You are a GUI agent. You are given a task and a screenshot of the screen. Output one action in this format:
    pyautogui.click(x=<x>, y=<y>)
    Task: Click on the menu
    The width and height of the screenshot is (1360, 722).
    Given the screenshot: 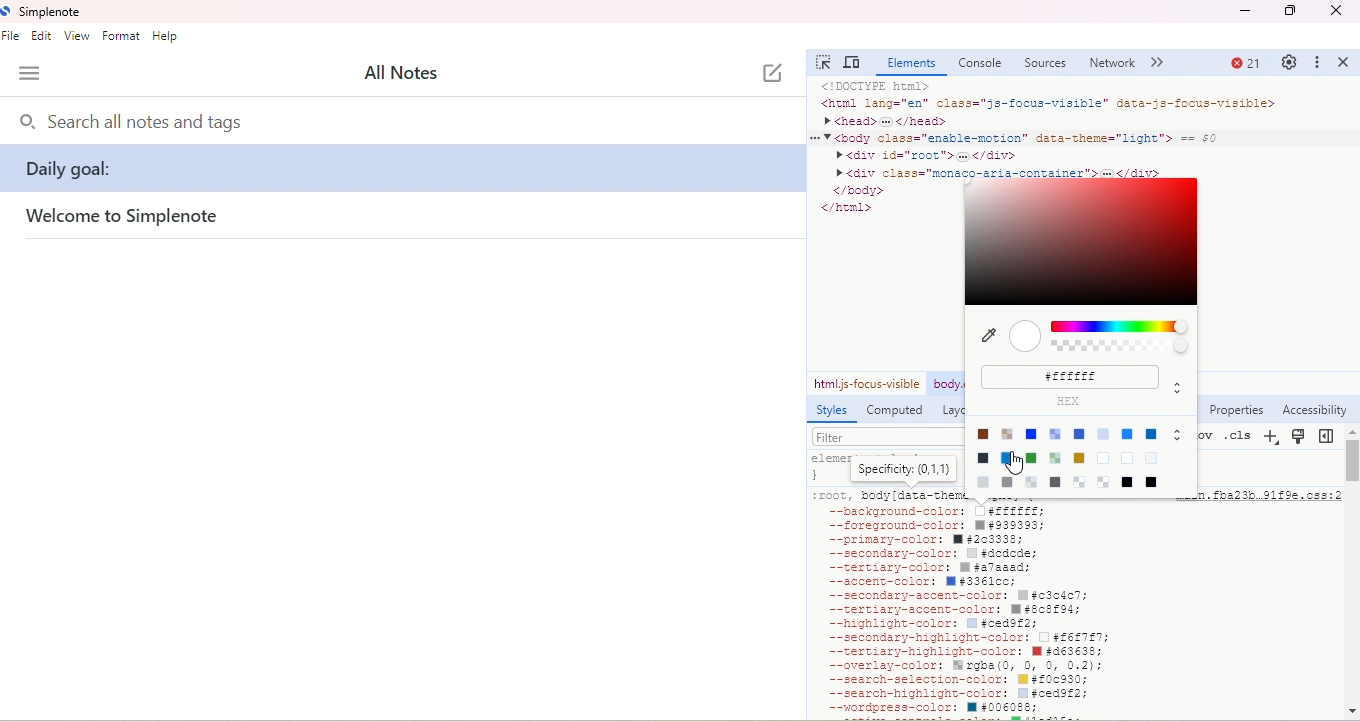 What is the action you would take?
    pyautogui.click(x=30, y=74)
    